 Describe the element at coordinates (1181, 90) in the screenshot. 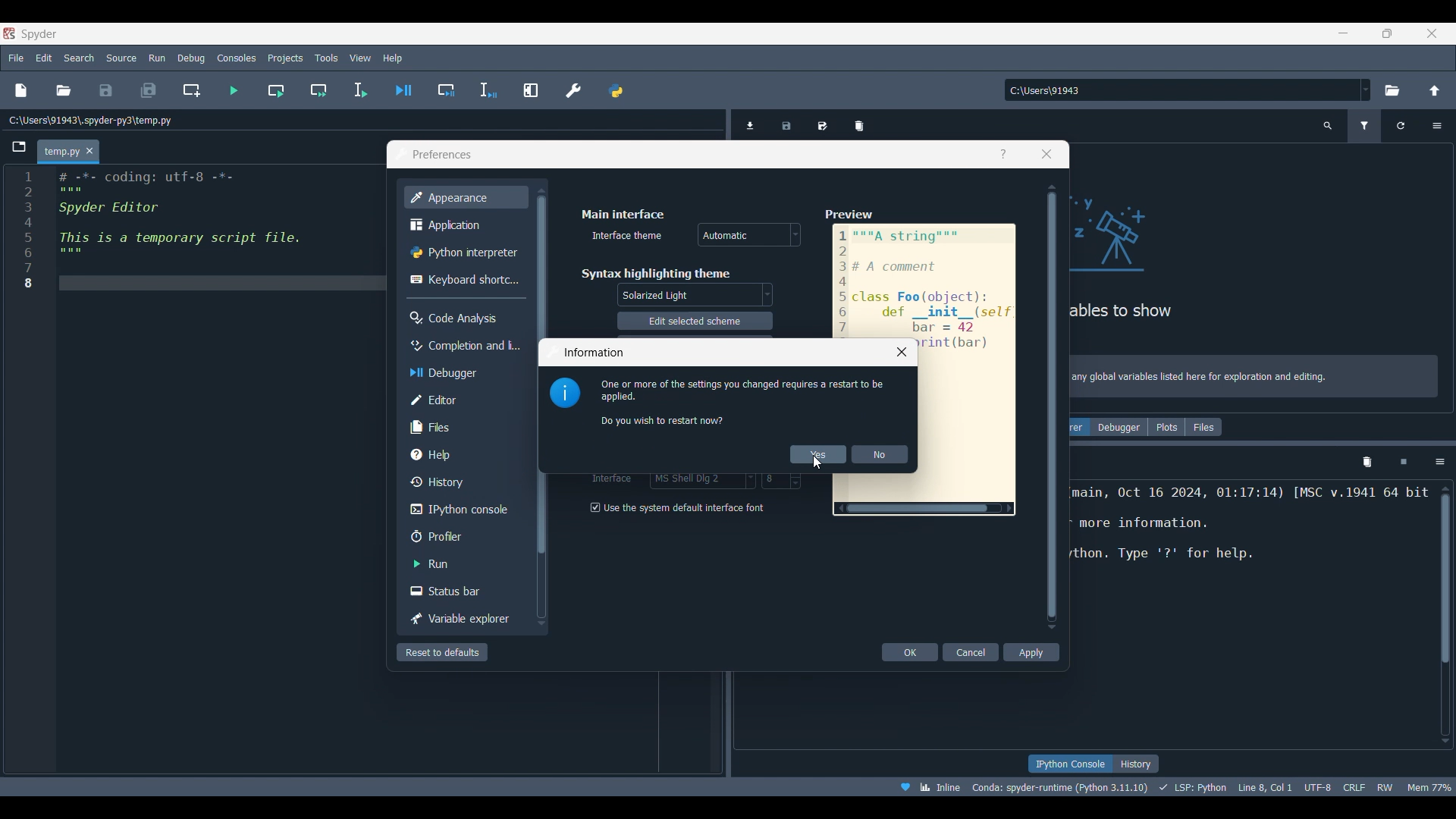

I see `Type in folder location` at that location.